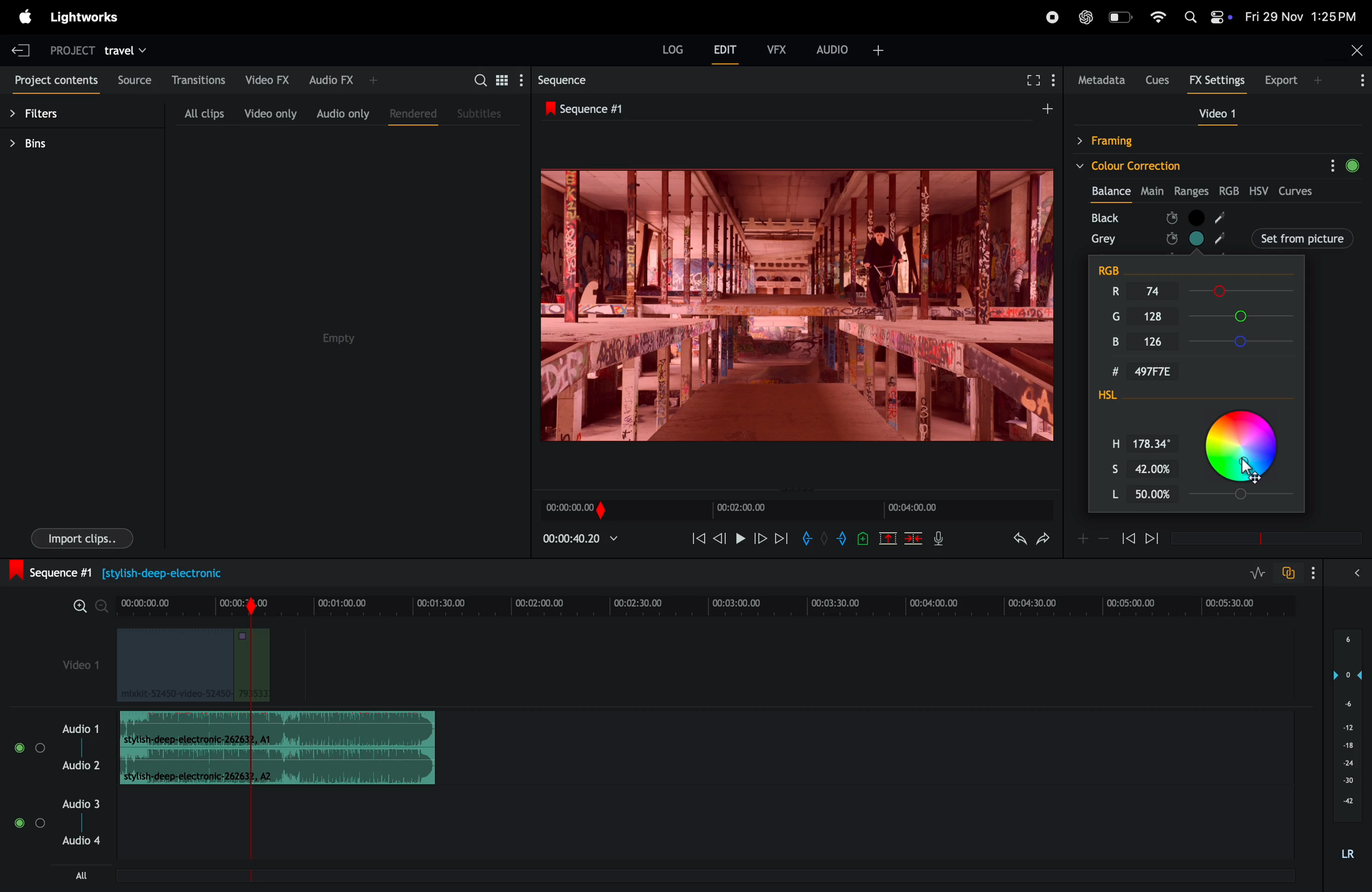 The image size is (1372, 892). What do you see at coordinates (1028, 78) in the screenshot?
I see `fullscreen` at bounding box center [1028, 78].